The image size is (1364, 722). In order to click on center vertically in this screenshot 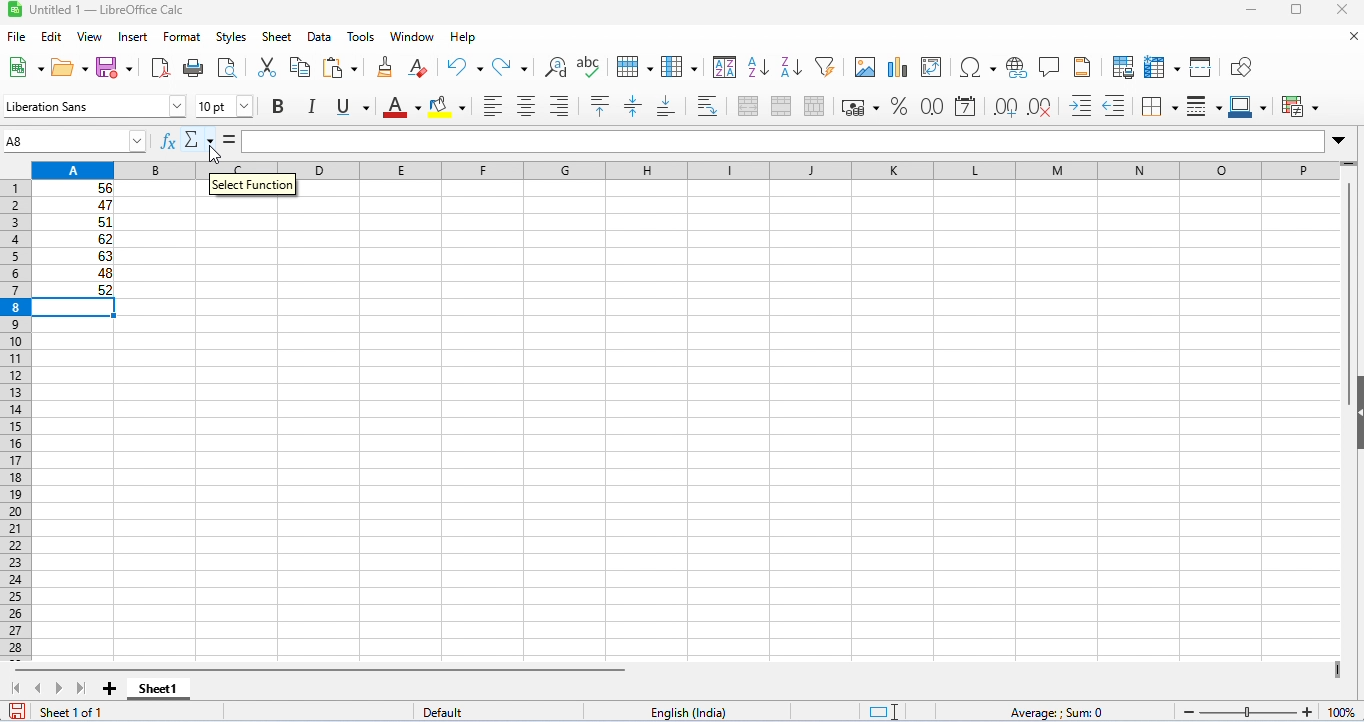, I will do `click(632, 106)`.